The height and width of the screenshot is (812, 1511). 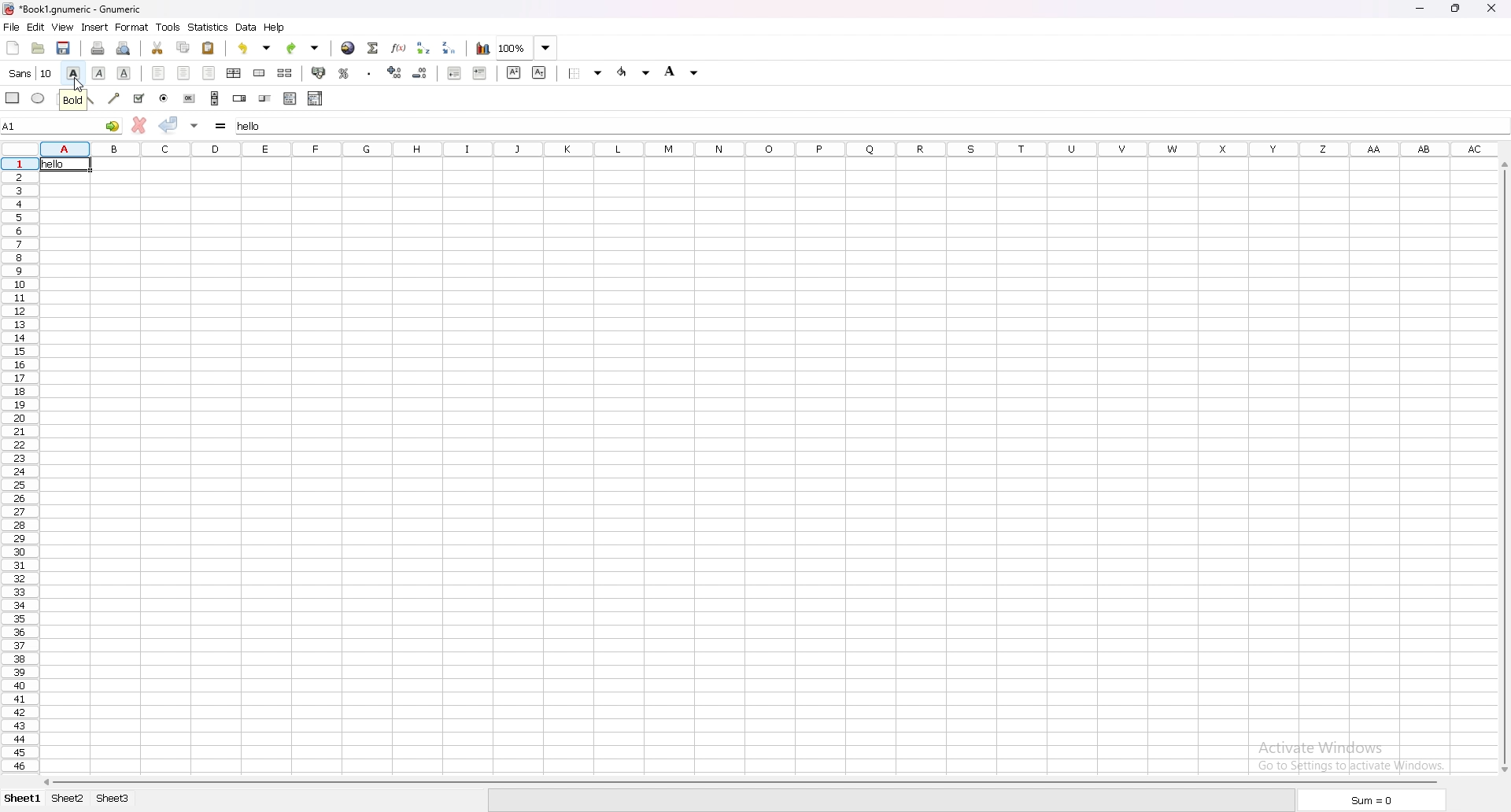 What do you see at coordinates (35, 26) in the screenshot?
I see `edit` at bounding box center [35, 26].